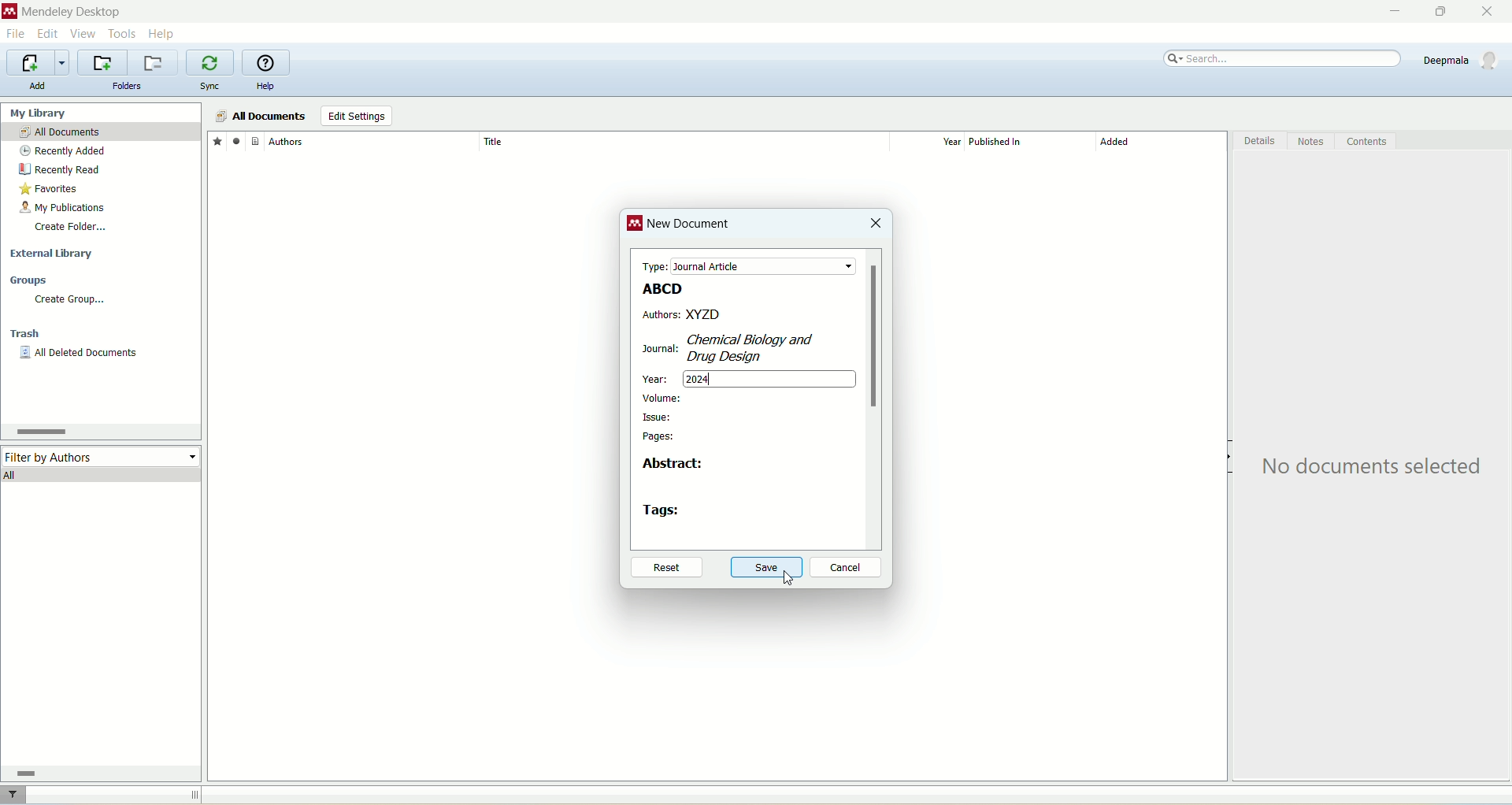 Image resolution: width=1512 pixels, height=805 pixels. Describe the element at coordinates (98, 773) in the screenshot. I see `horizontal scroll bar` at that location.